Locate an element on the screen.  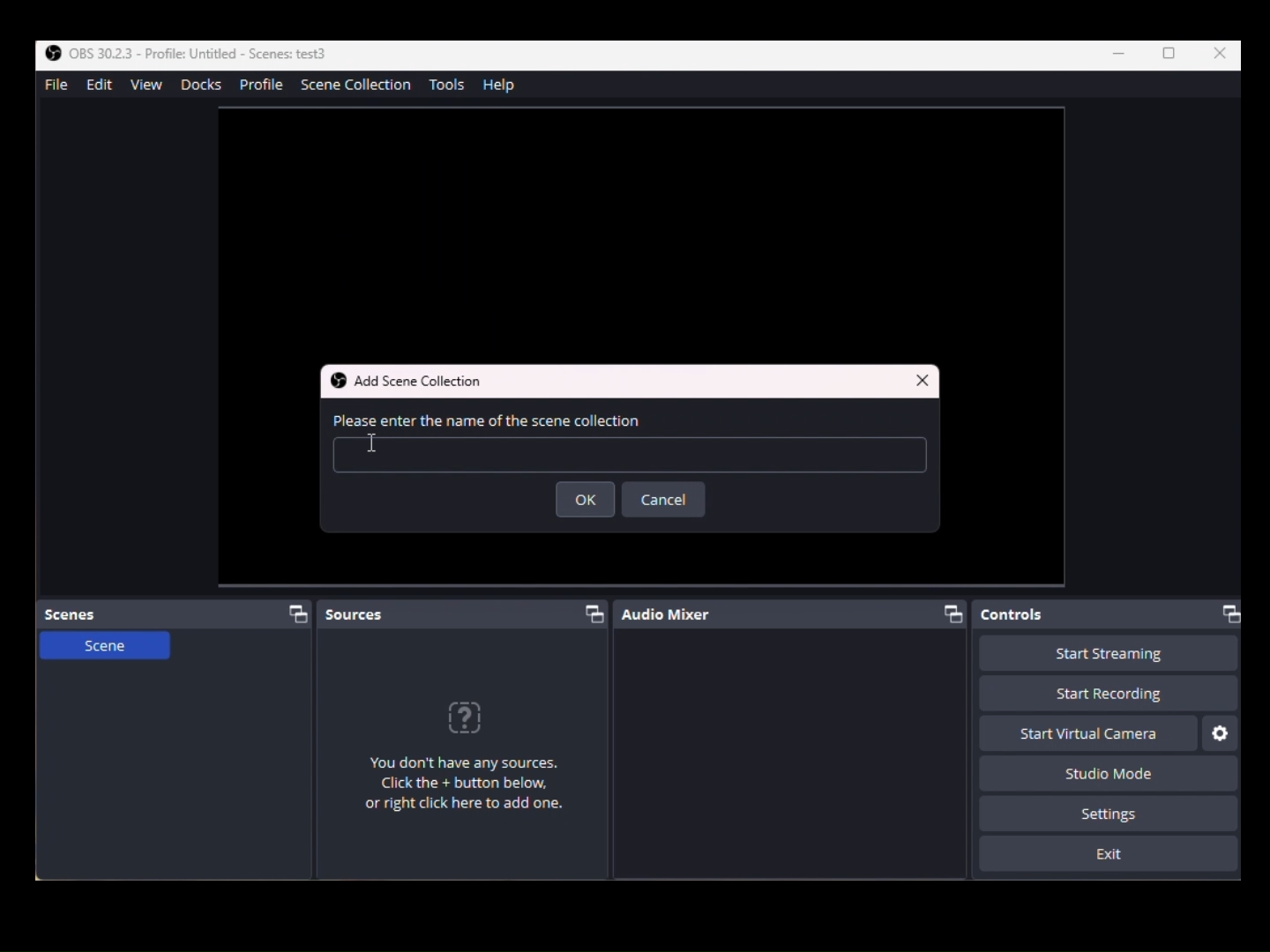
Scene is located at coordinates (103, 652).